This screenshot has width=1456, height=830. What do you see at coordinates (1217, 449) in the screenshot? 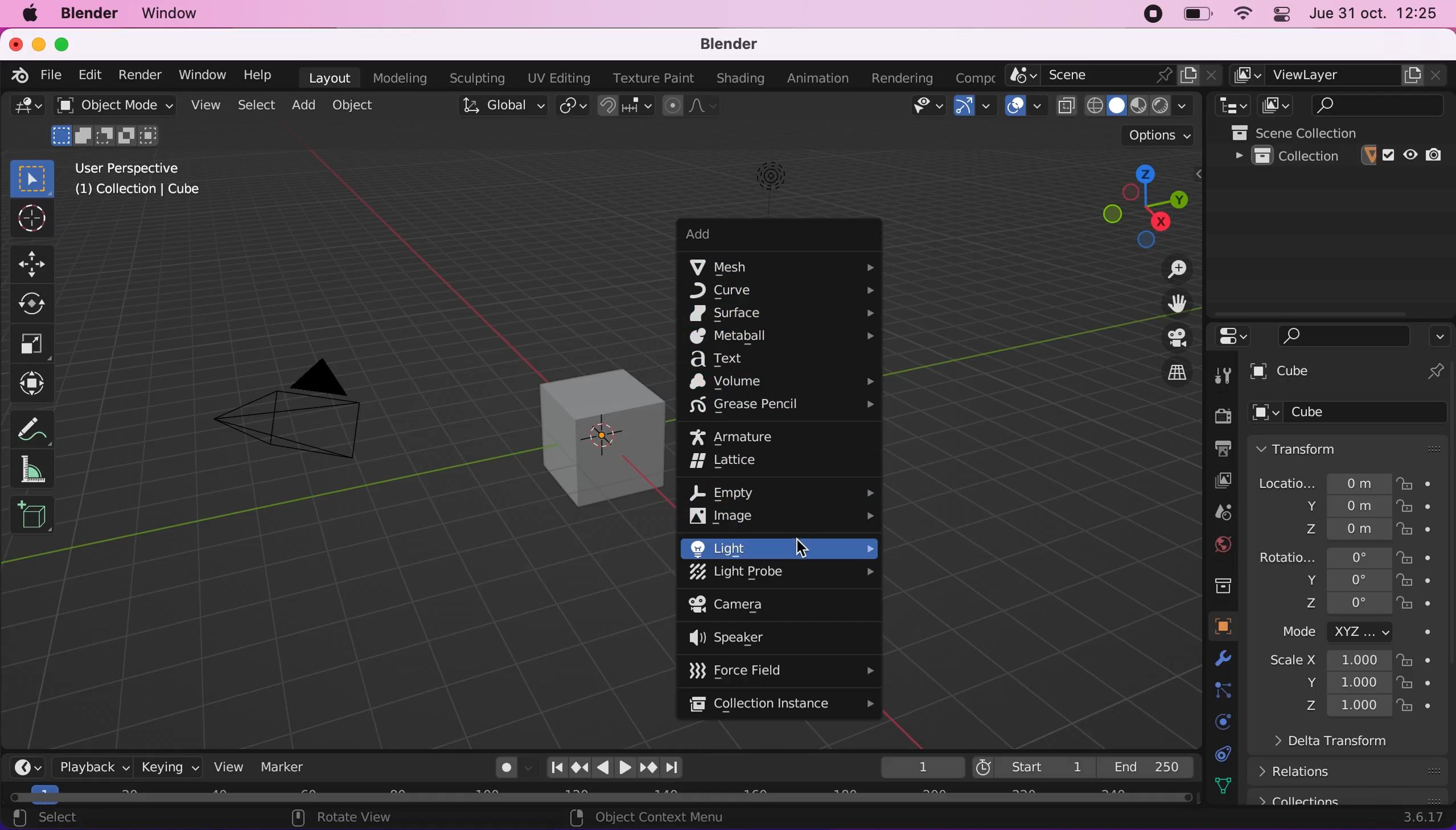
I see `output` at bounding box center [1217, 449].